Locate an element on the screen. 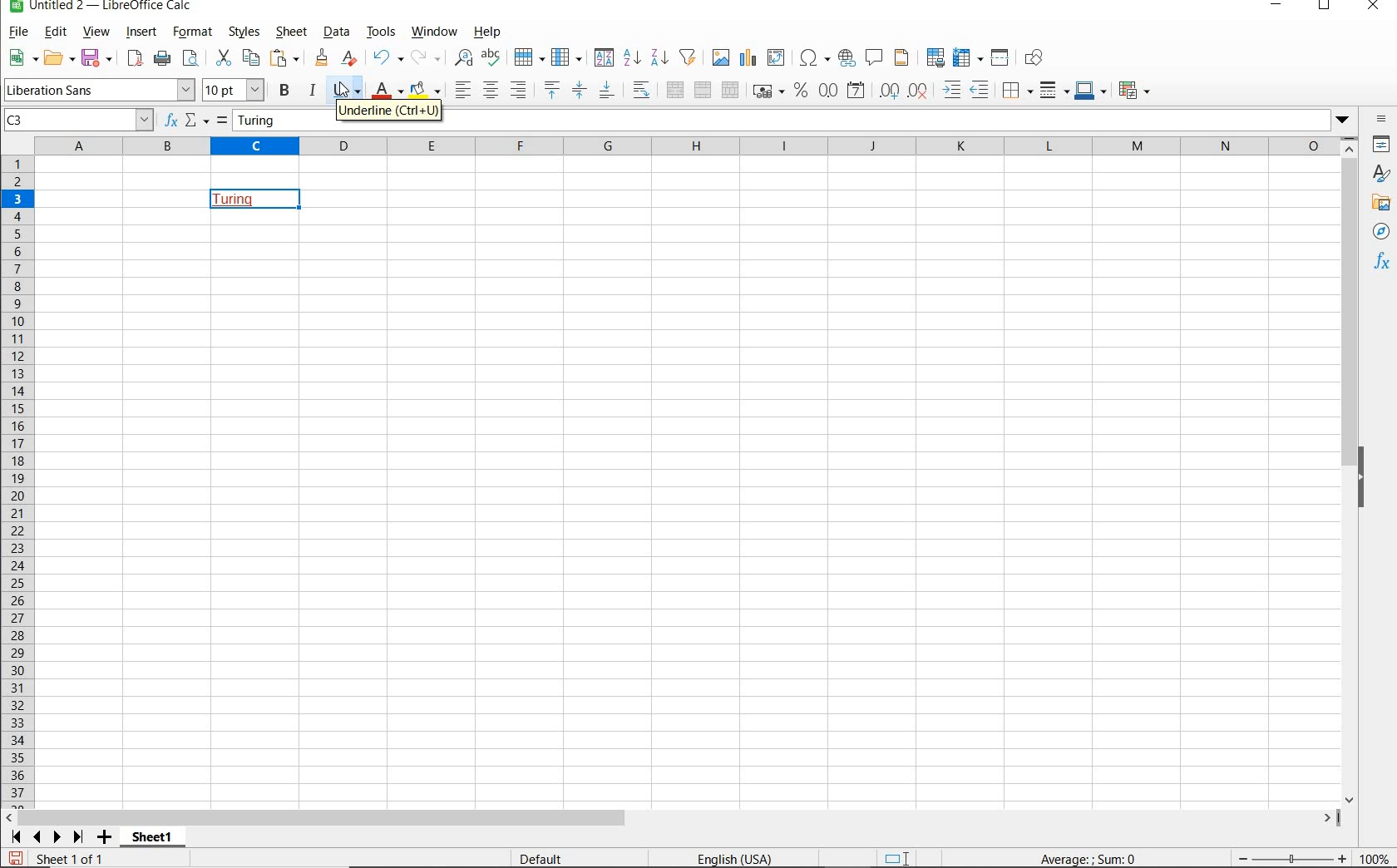 The height and width of the screenshot is (868, 1397). NEW is located at coordinates (22, 58).